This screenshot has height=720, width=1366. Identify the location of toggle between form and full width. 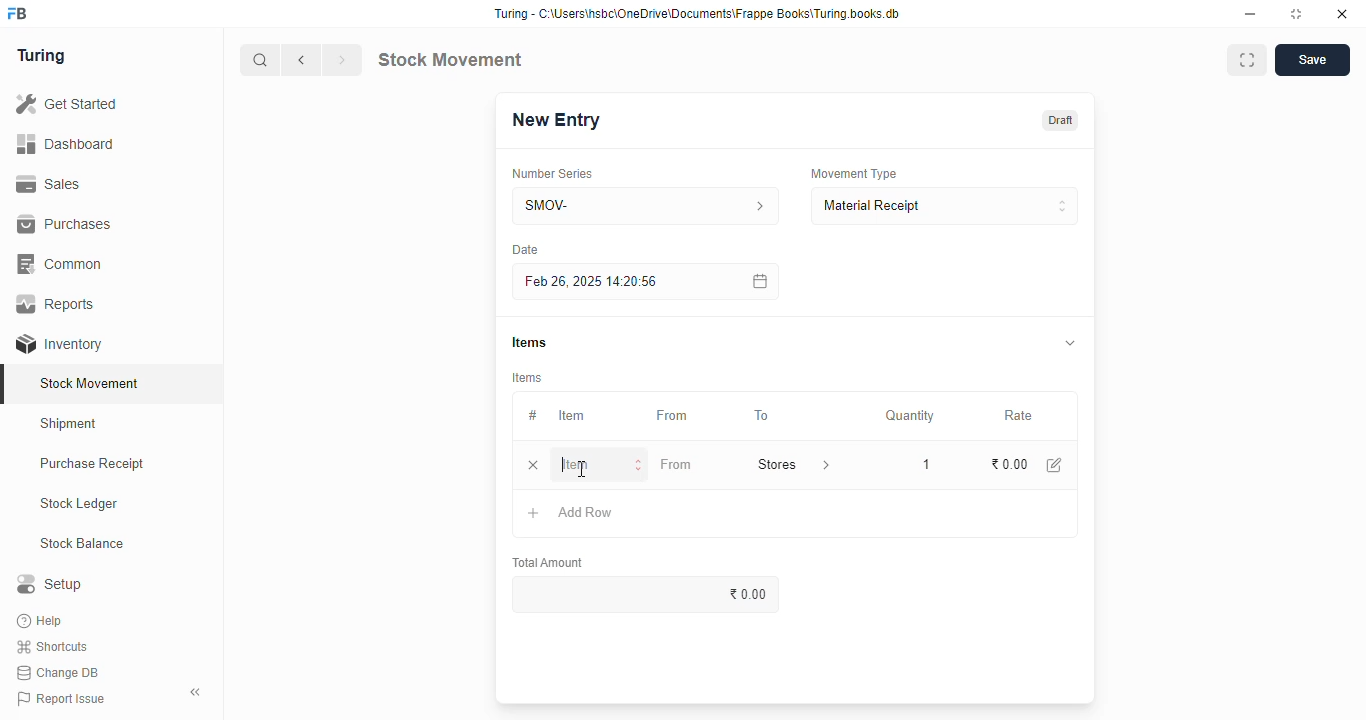
(1247, 60).